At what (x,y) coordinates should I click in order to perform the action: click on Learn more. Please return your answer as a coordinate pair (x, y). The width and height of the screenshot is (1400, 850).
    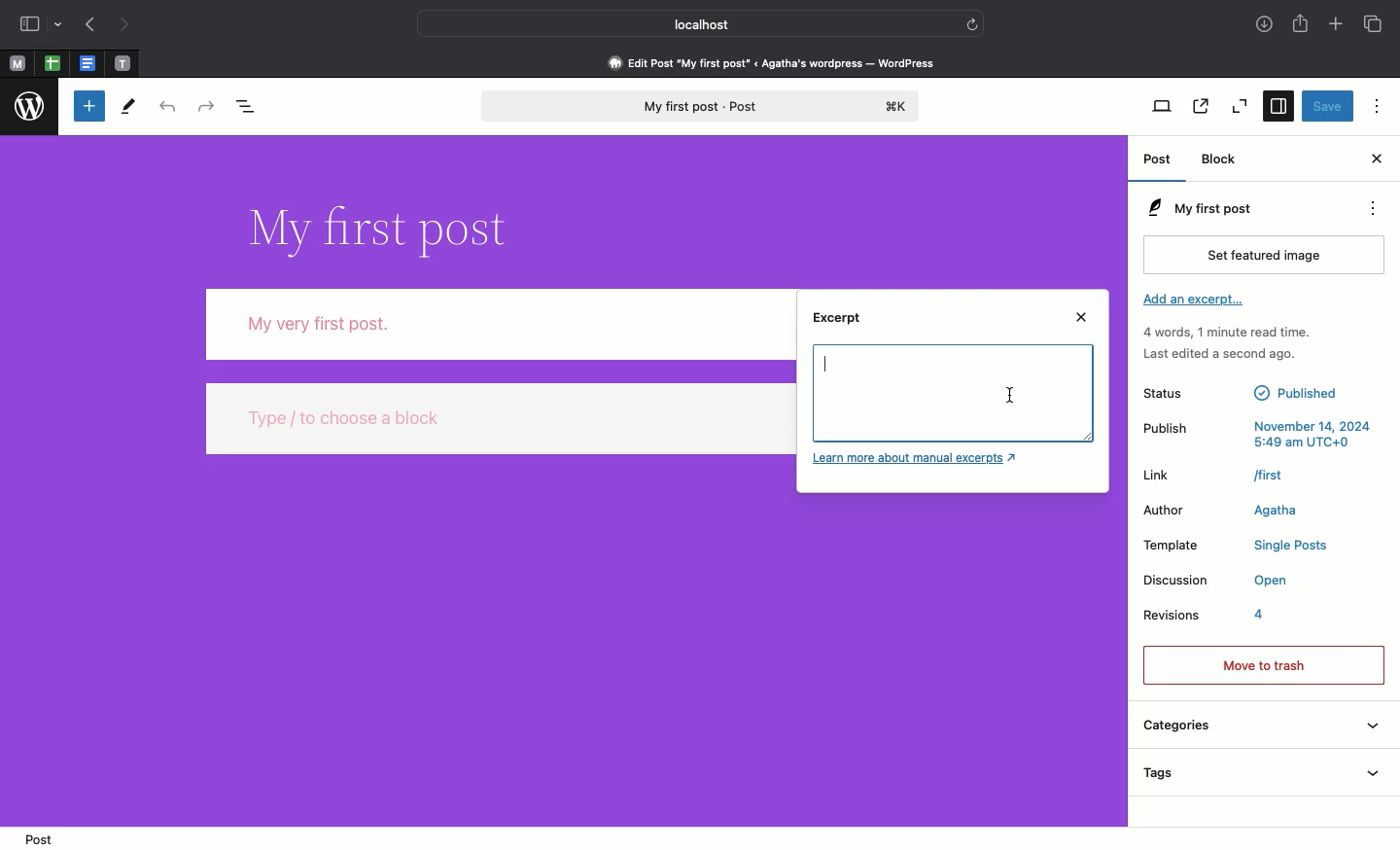
    Looking at the image, I should click on (919, 460).